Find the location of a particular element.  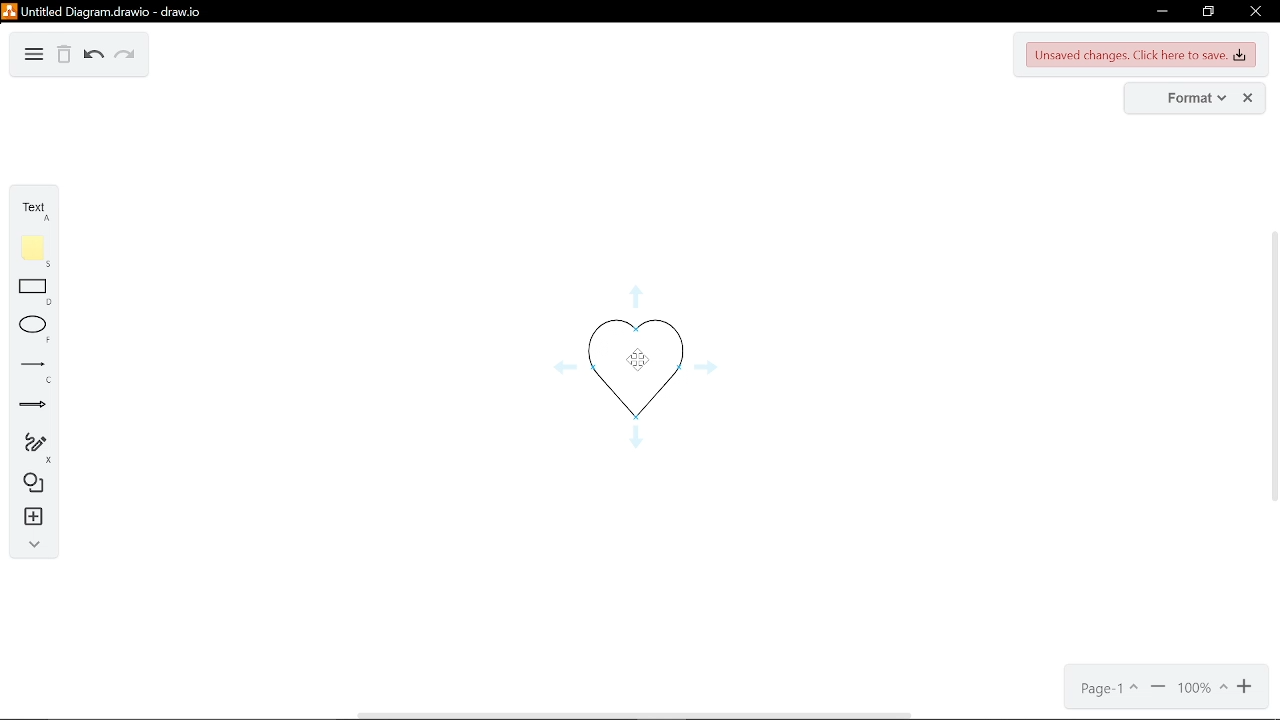

zoom in is located at coordinates (1246, 687).